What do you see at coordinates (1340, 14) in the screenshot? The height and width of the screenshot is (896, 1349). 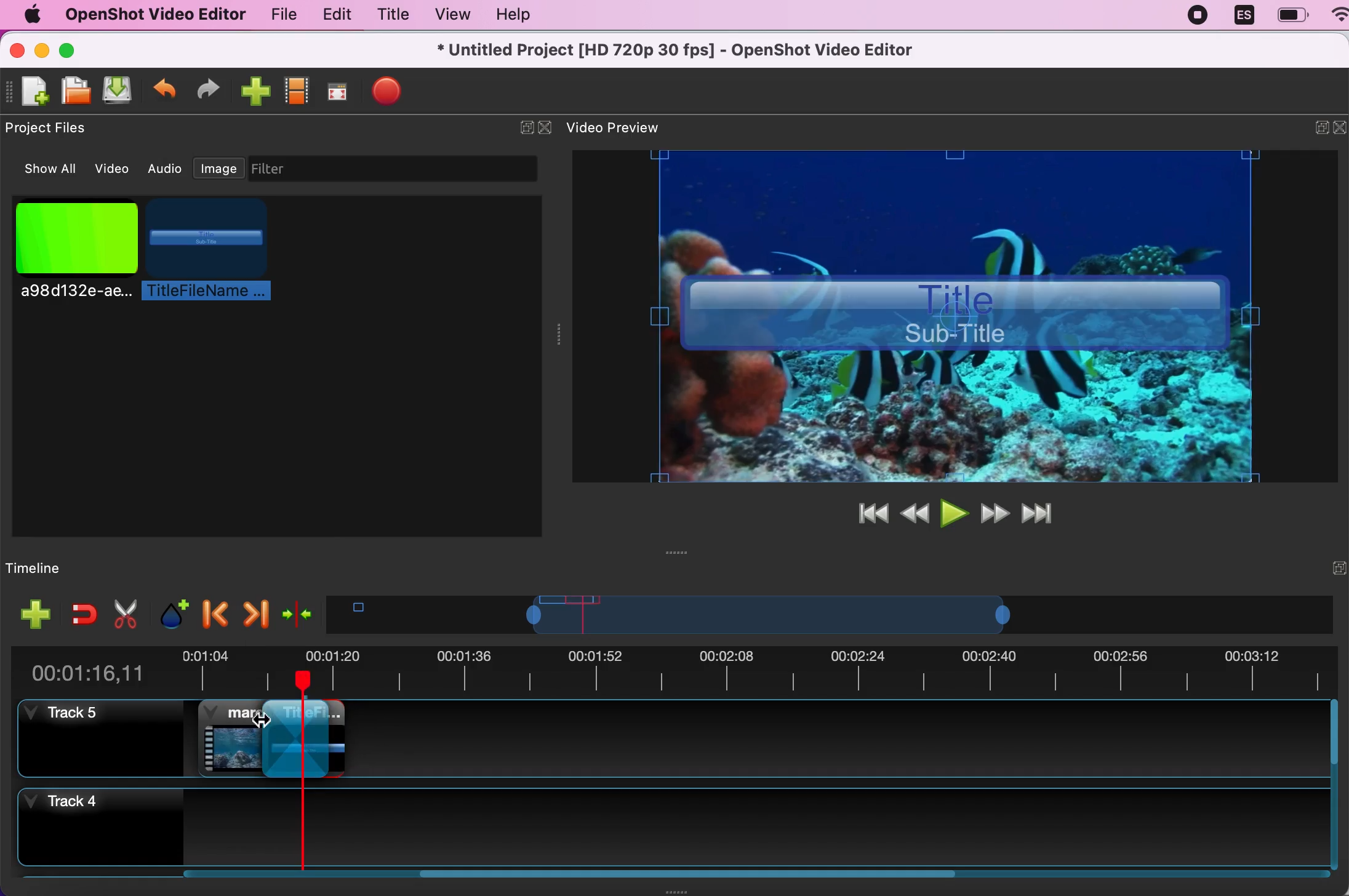 I see `WIFI` at bounding box center [1340, 14].